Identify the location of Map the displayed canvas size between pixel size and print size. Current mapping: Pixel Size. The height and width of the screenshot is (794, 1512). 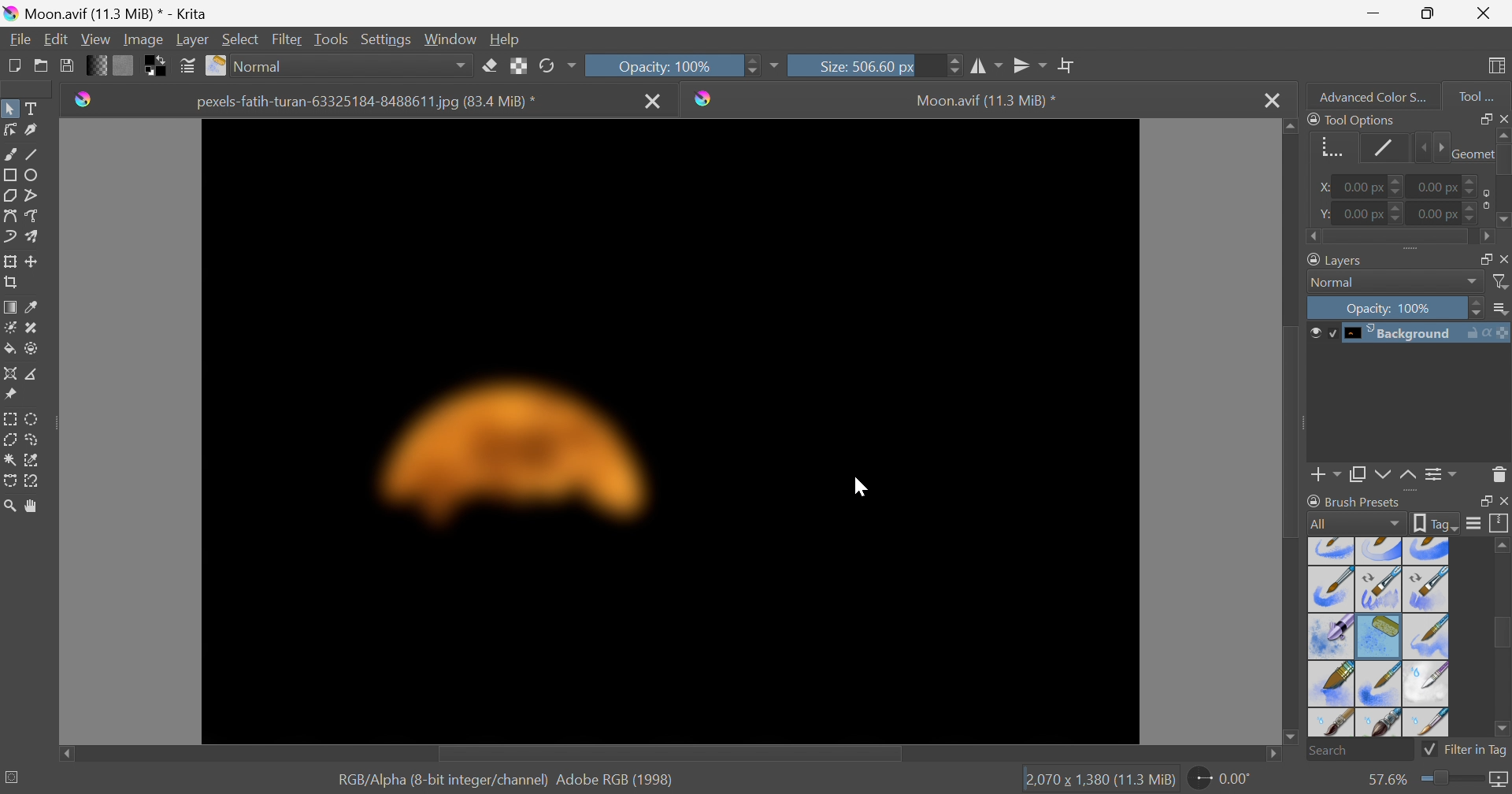
(1502, 781).